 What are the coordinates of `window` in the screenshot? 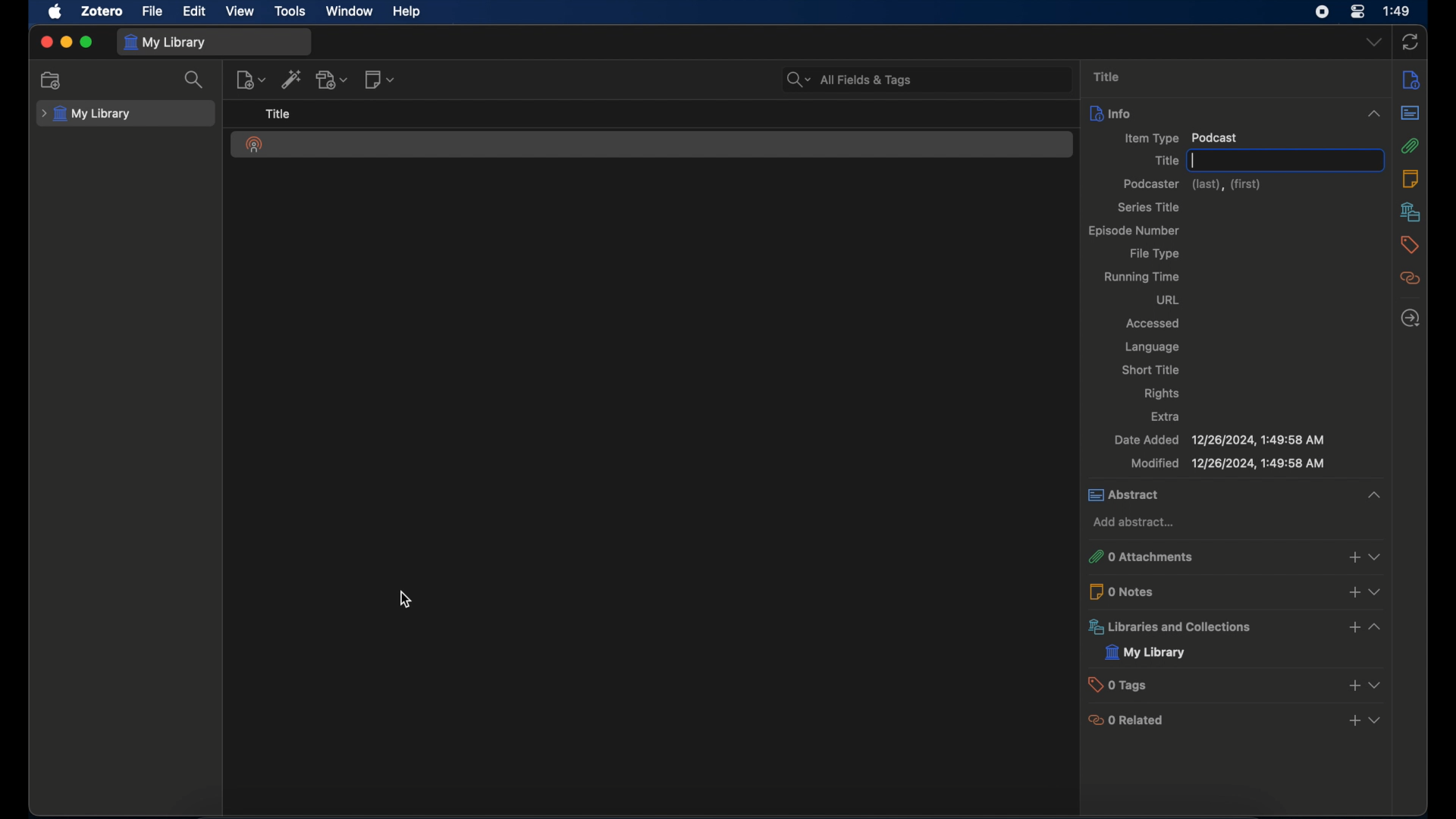 It's located at (350, 11).